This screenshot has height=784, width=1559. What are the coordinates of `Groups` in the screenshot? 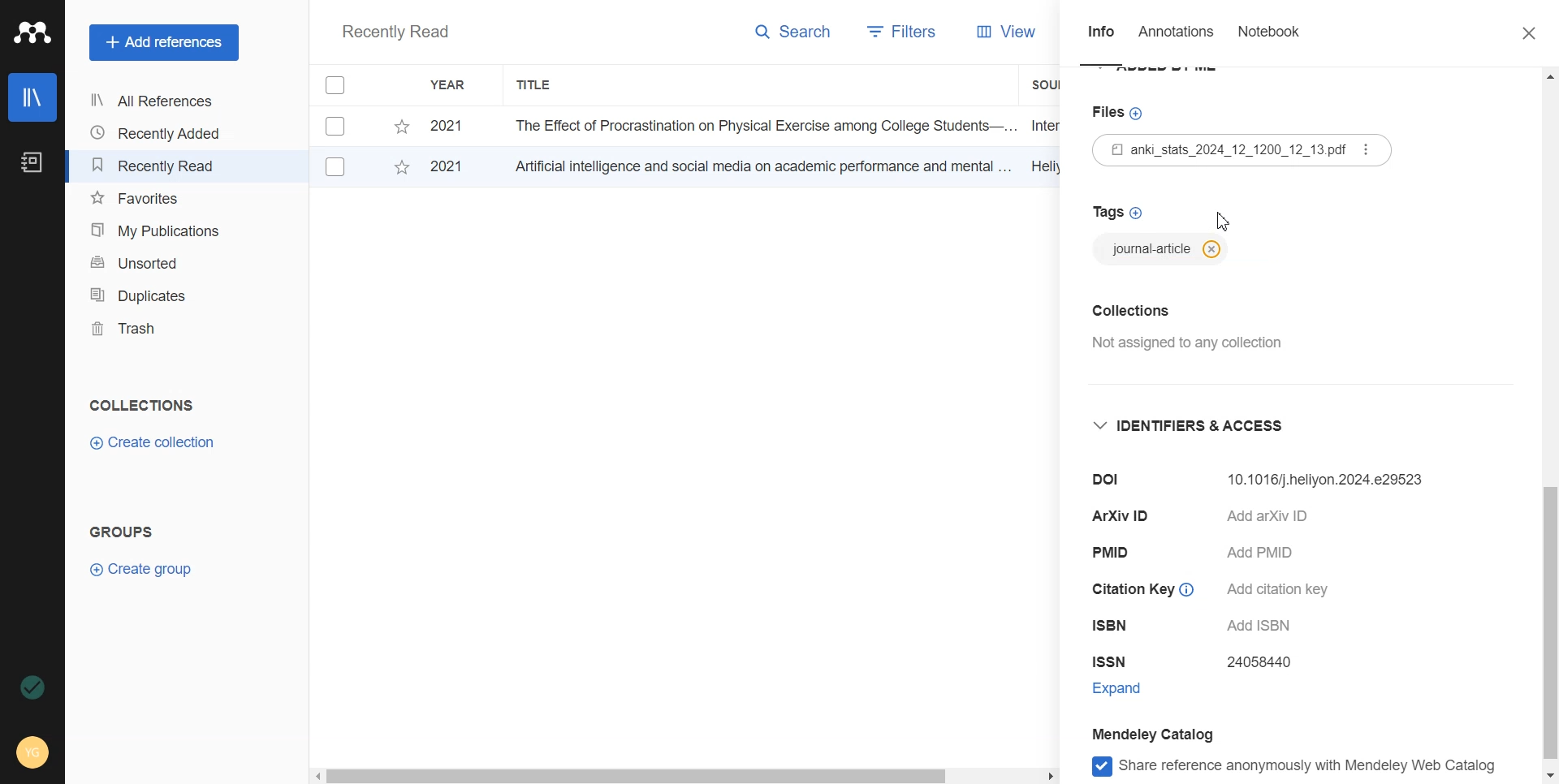 It's located at (126, 532).